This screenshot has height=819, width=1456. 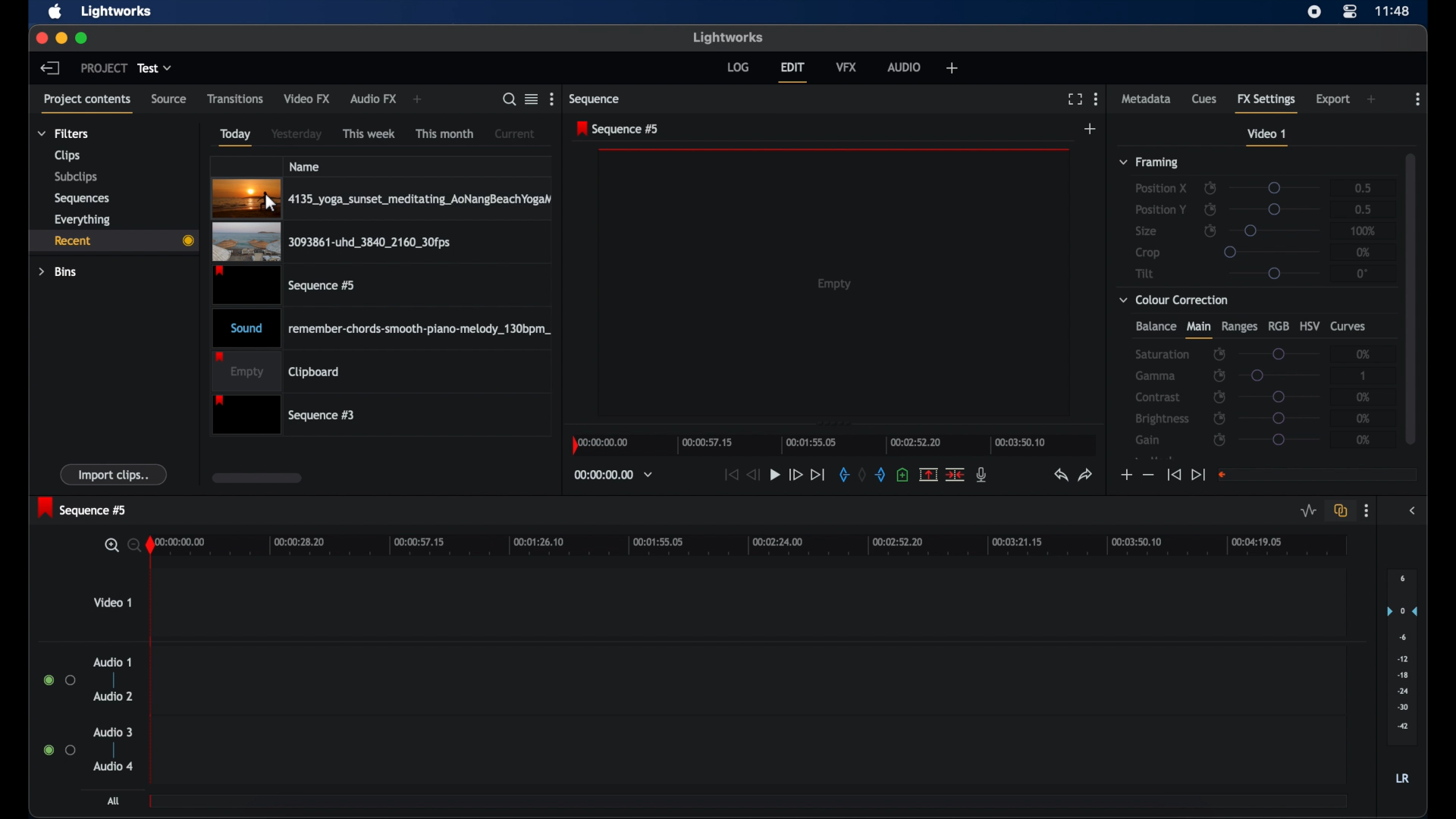 I want to click on 0%, so click(x=1364, y=419).